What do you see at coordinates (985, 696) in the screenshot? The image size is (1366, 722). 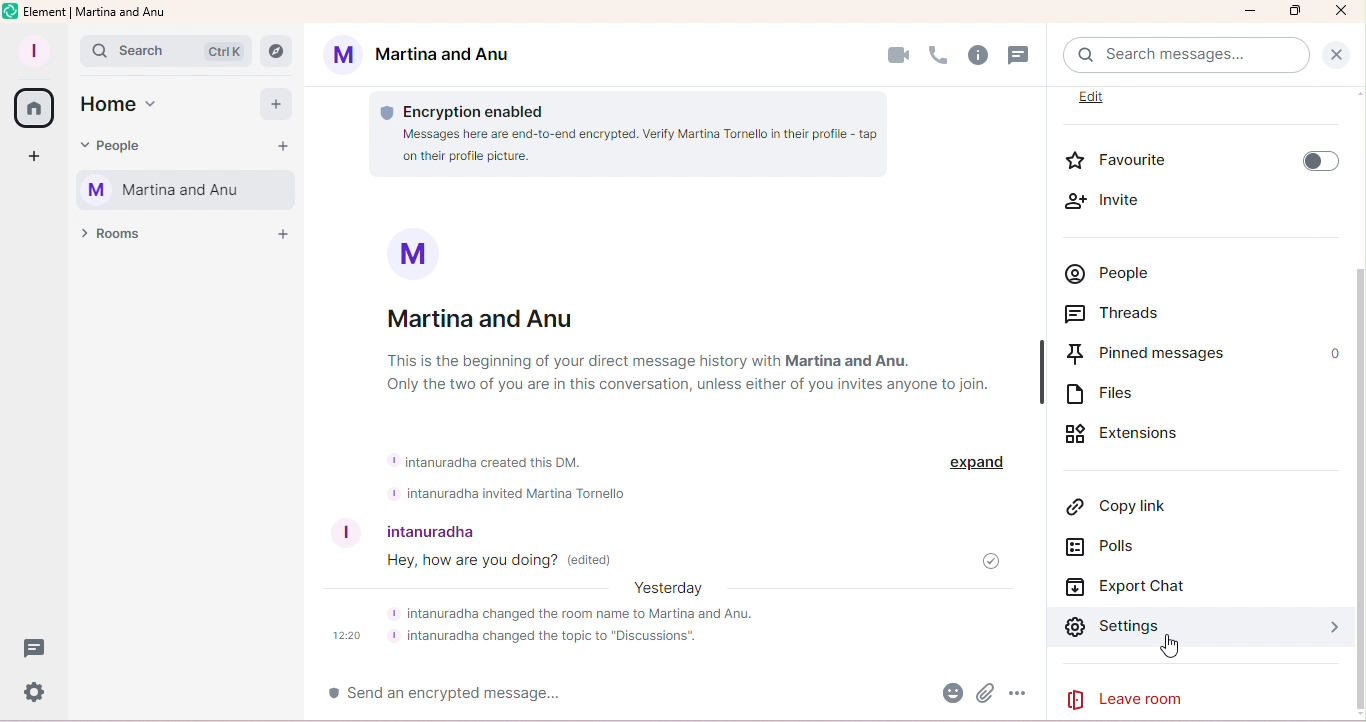 I see `Attachment` at bounding box center [985, 696].